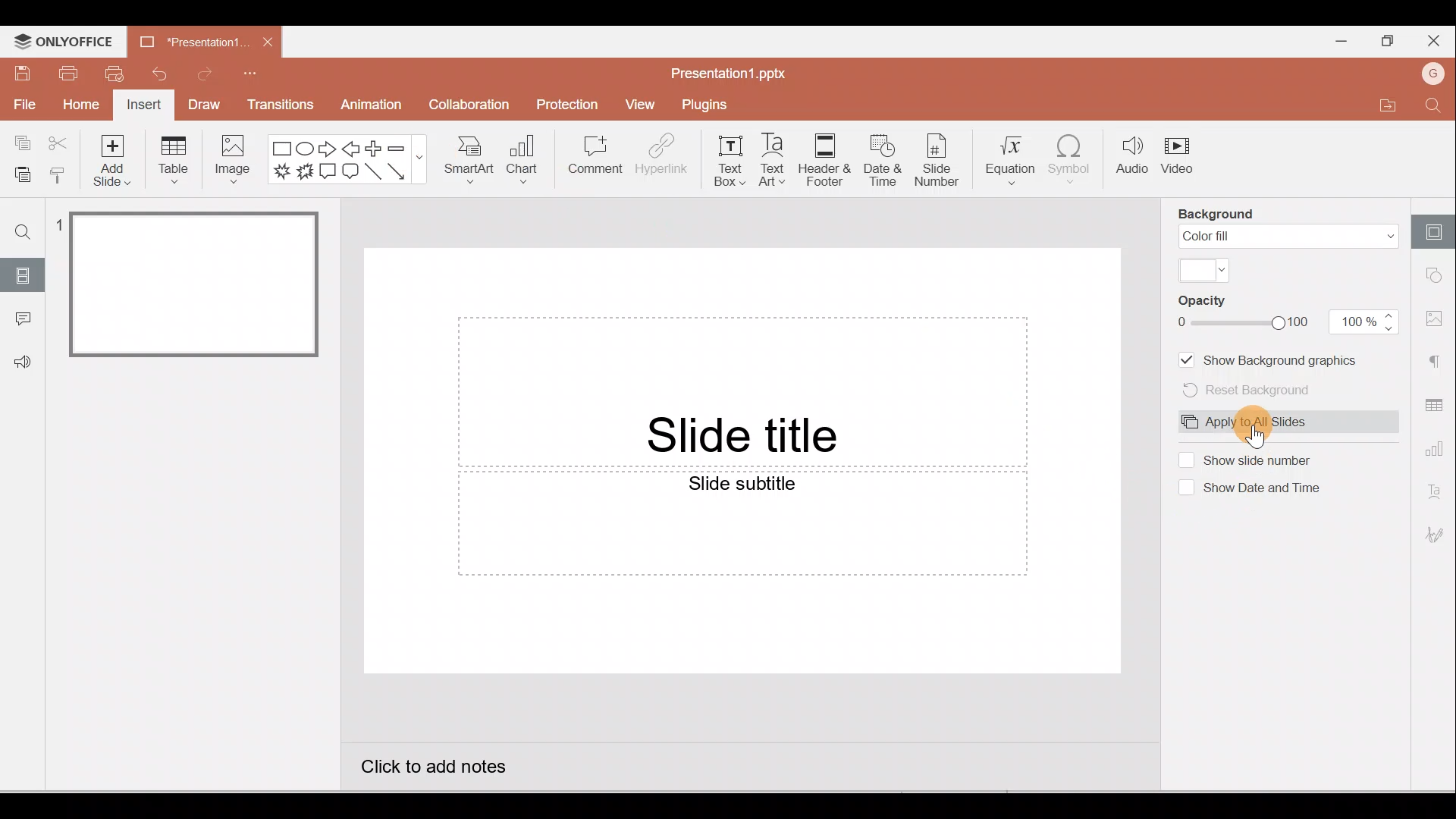 The width and height of the screenshot is (1456, 819). What do you see at coordinates (212, 708) in the screenshot?
I see `Master slide 4` at bounding box center [212, 708].